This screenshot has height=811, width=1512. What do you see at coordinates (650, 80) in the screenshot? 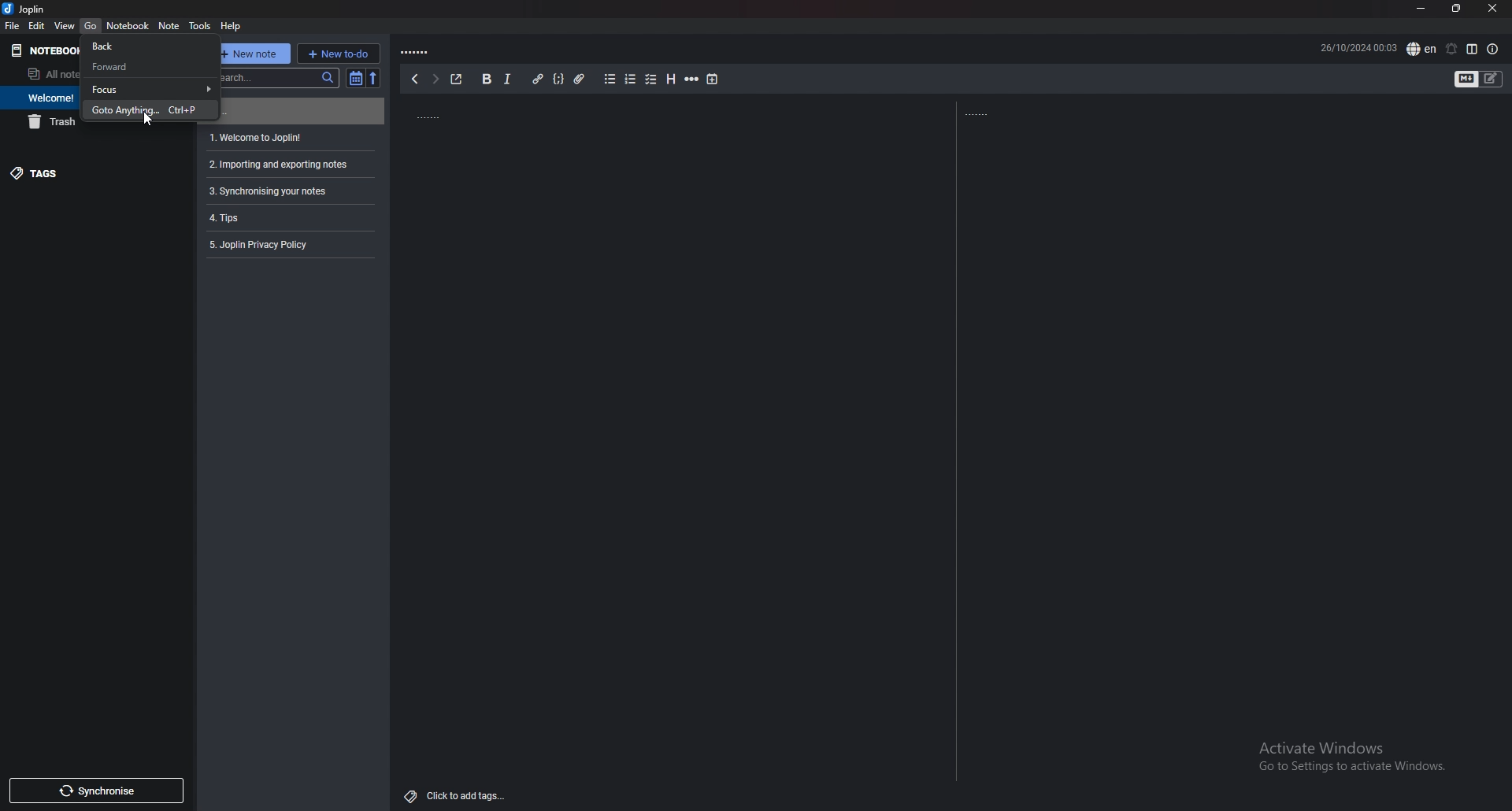
I see `checkbox` at bounding box center [650, 80].